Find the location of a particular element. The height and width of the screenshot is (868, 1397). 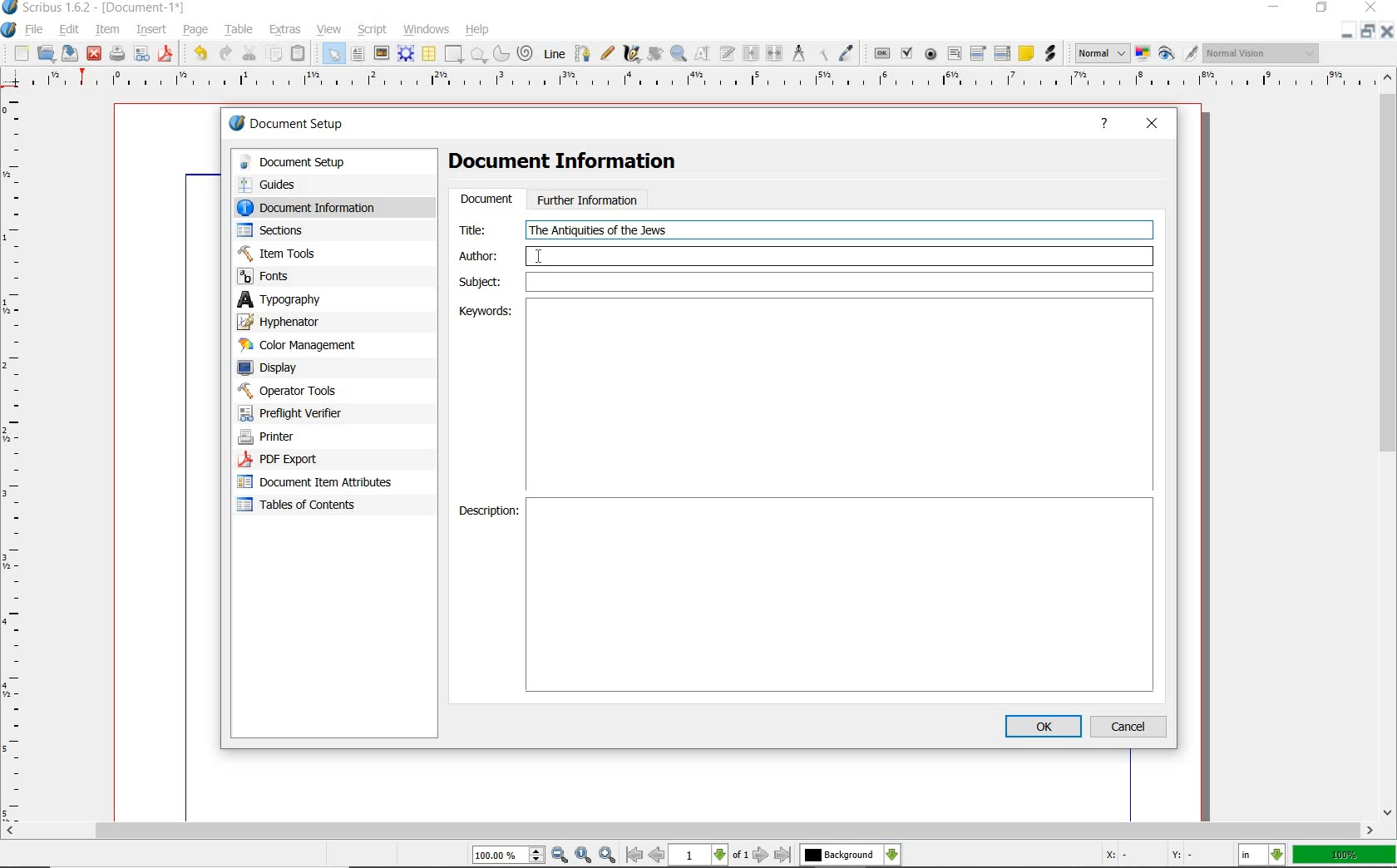

paste is located at coordinates (301, 52).